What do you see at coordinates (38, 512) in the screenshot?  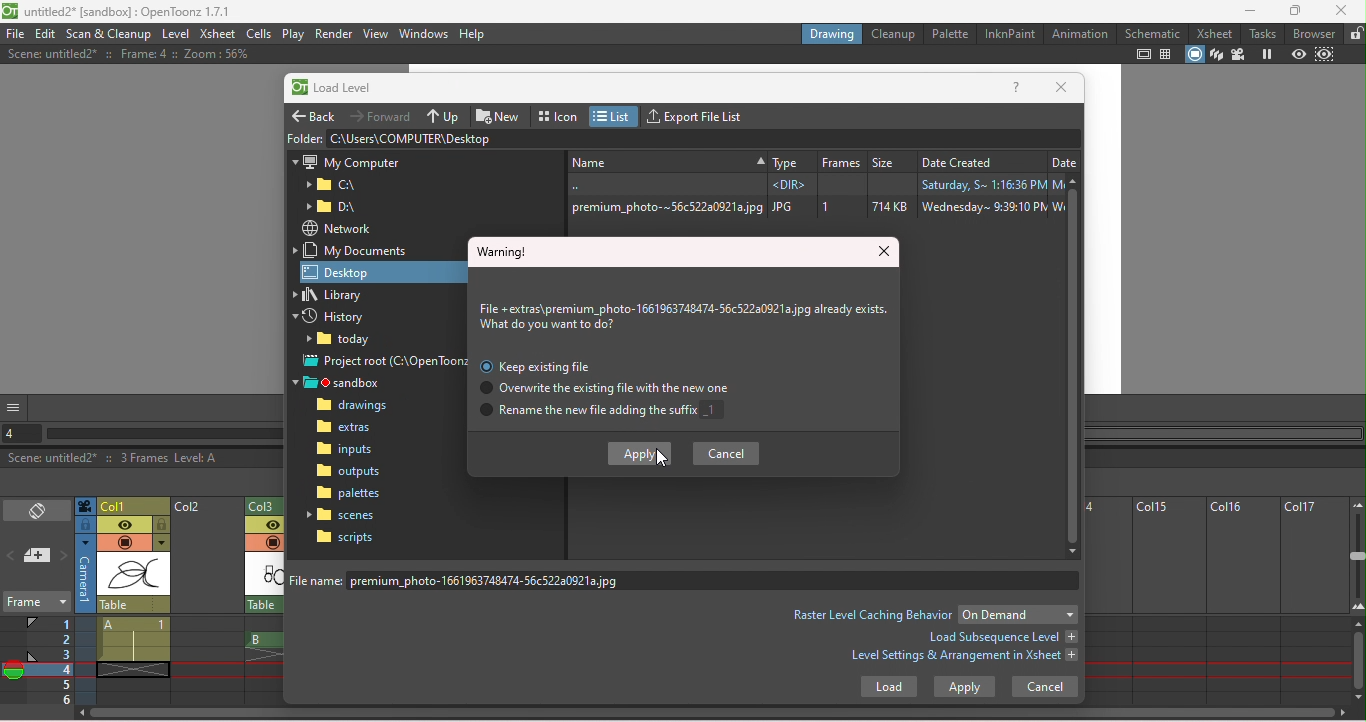 I see `Toggle Xsheet/Timeline` at bounding box center [38, 512].